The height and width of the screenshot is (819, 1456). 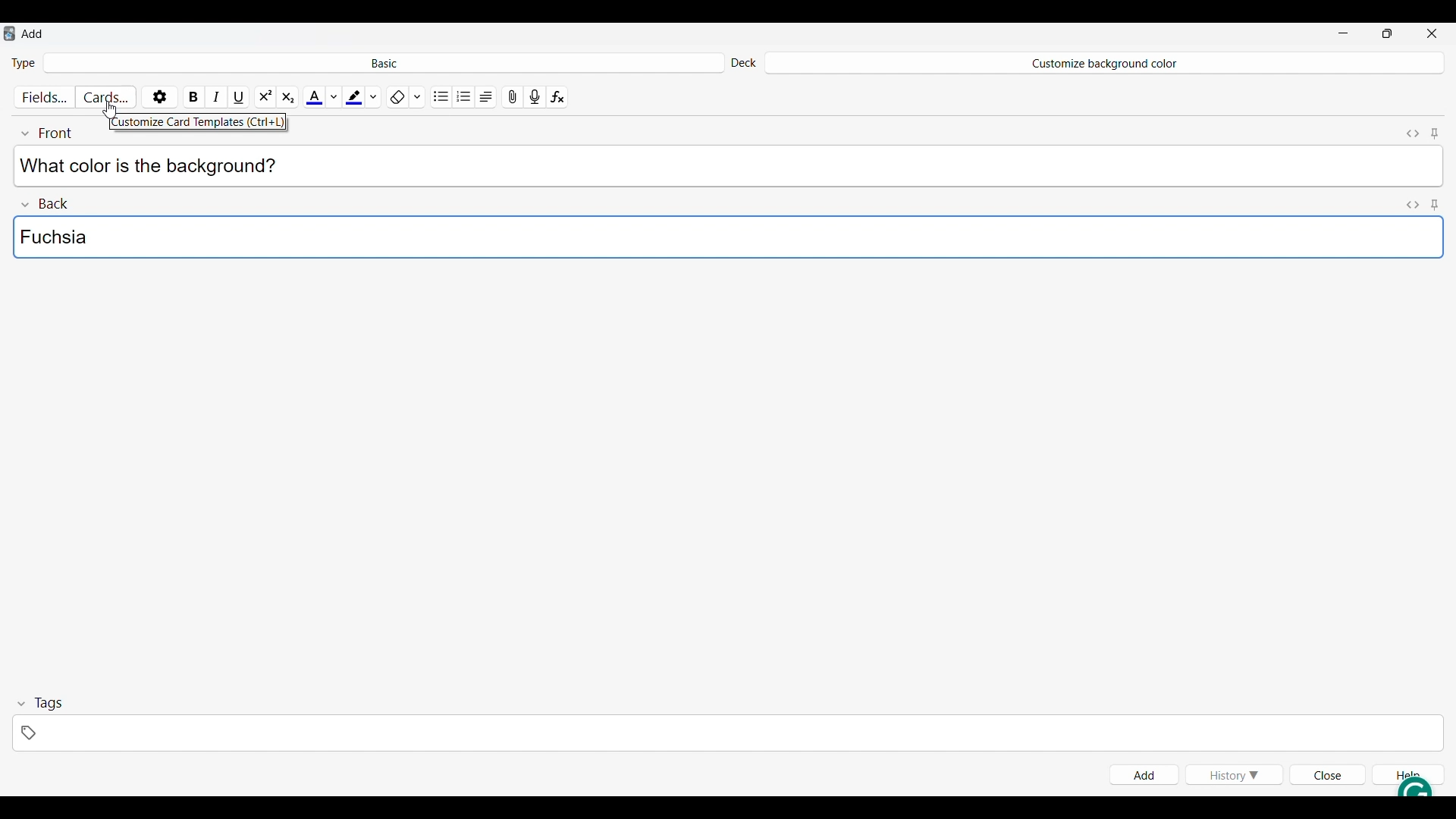 I want to click on Show interface in smaller tab, so click(x=1388, y=33).